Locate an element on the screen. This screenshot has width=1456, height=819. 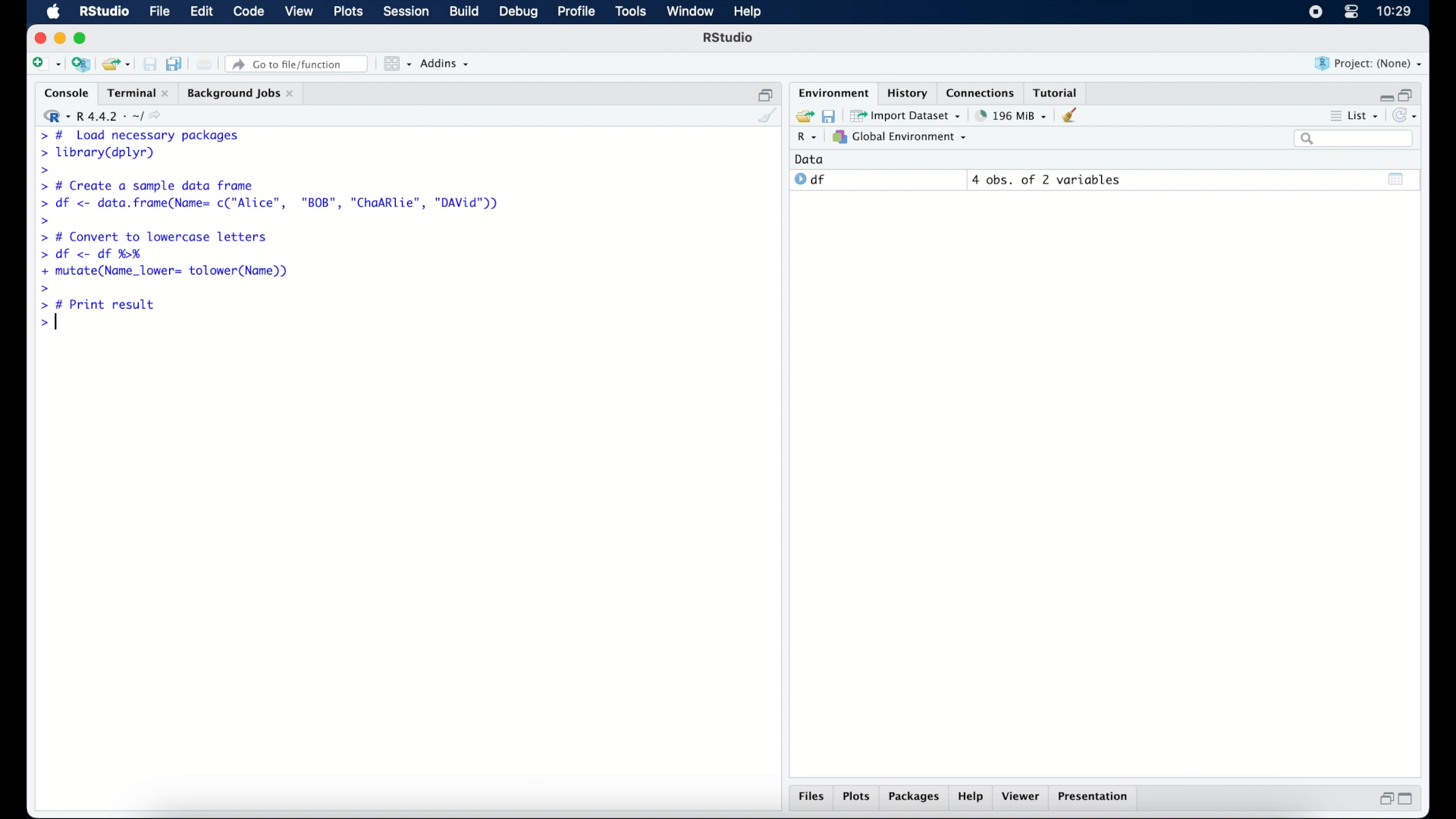
R 4.4.2 is located at coordinates (106, 117).